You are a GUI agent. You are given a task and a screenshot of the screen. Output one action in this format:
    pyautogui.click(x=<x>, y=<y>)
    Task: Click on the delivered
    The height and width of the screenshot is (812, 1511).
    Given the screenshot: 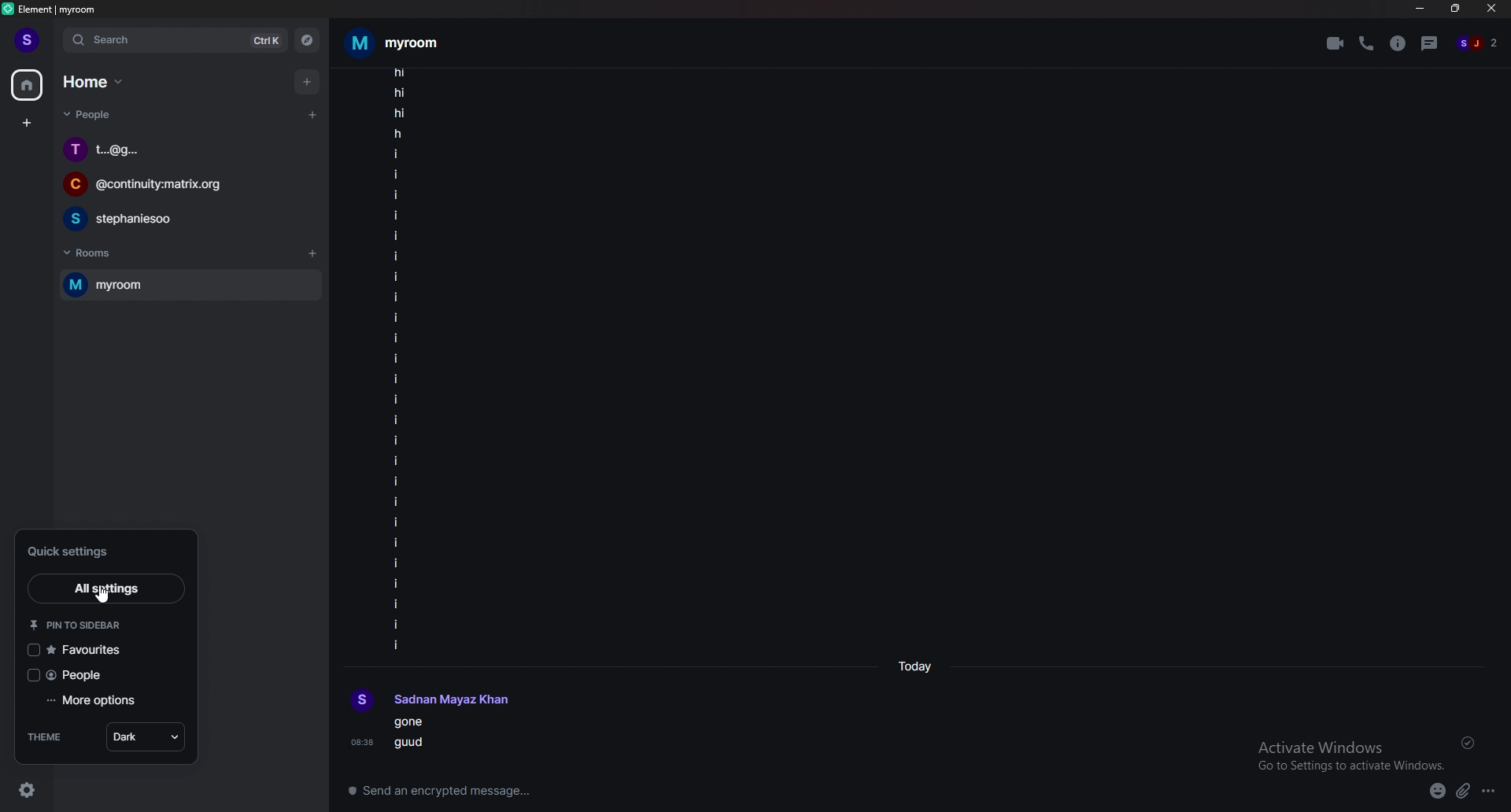 What is the action you would take?
    pyautogui.click(x=1469, y=742)
    